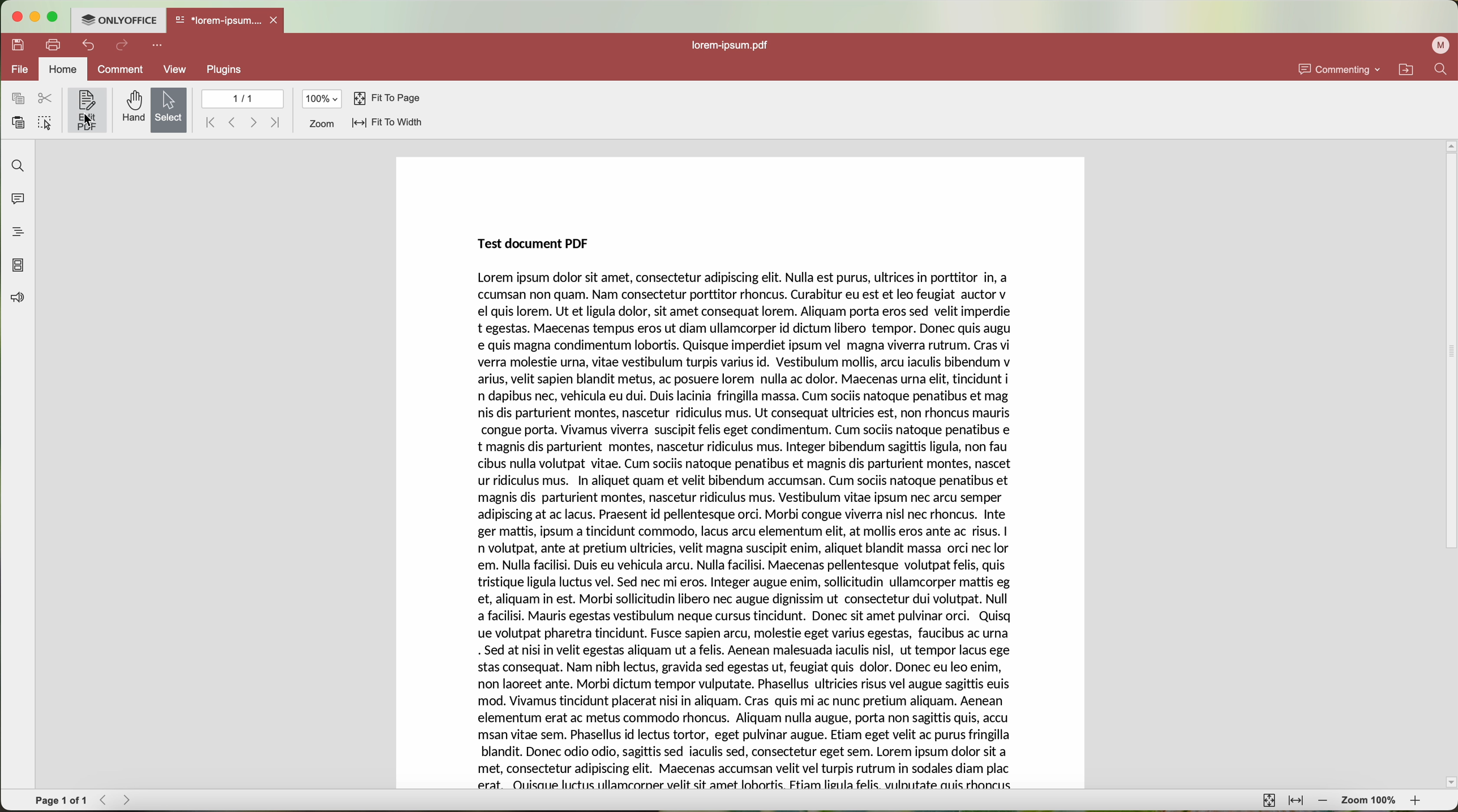  What do you see at coordinates (158, 46) in the screenshot?
I see `customize quick access toolbar` at bounding box center [158, 46].